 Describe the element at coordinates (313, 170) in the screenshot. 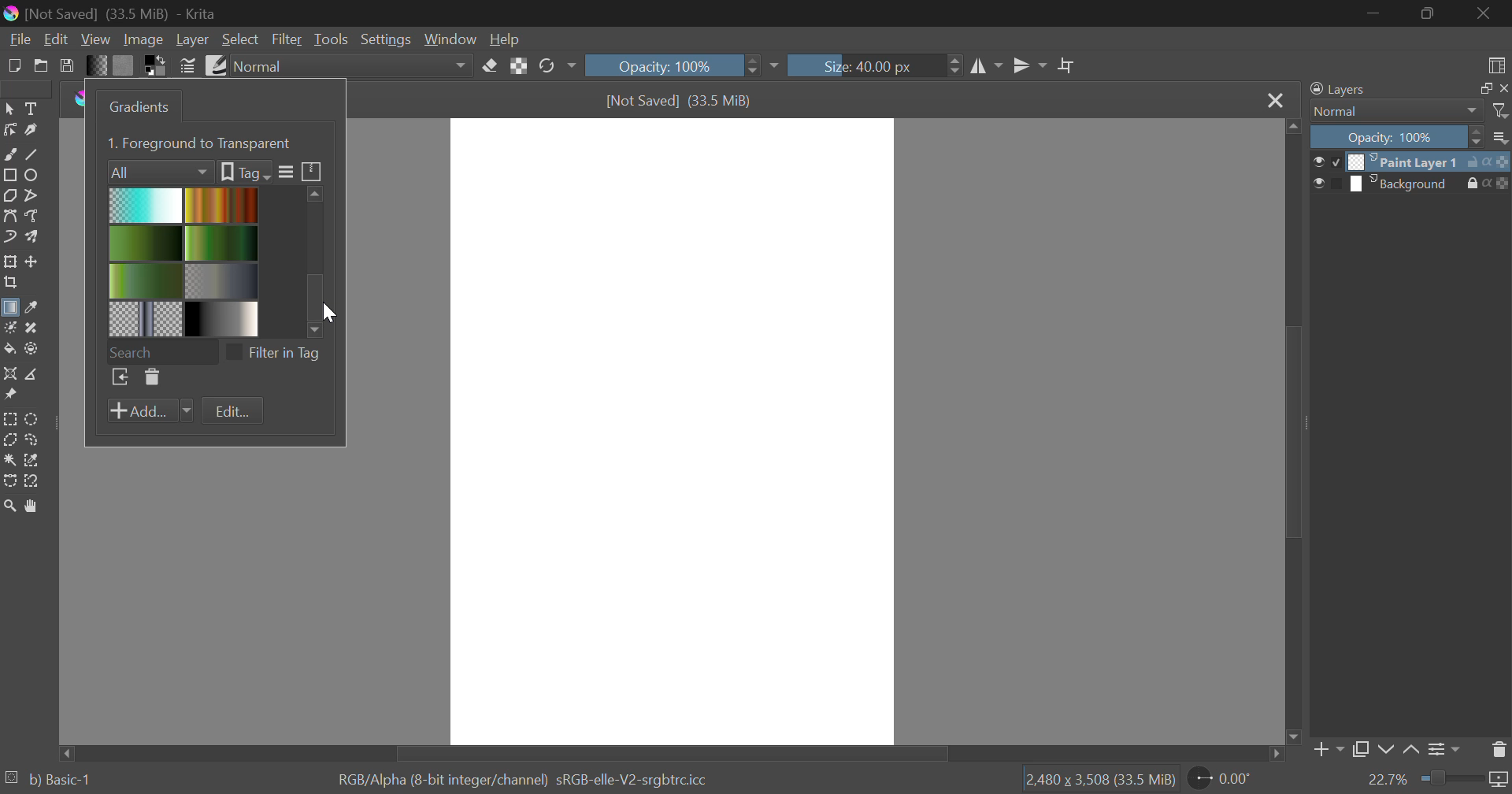

I see `Storage Resources` at that location.